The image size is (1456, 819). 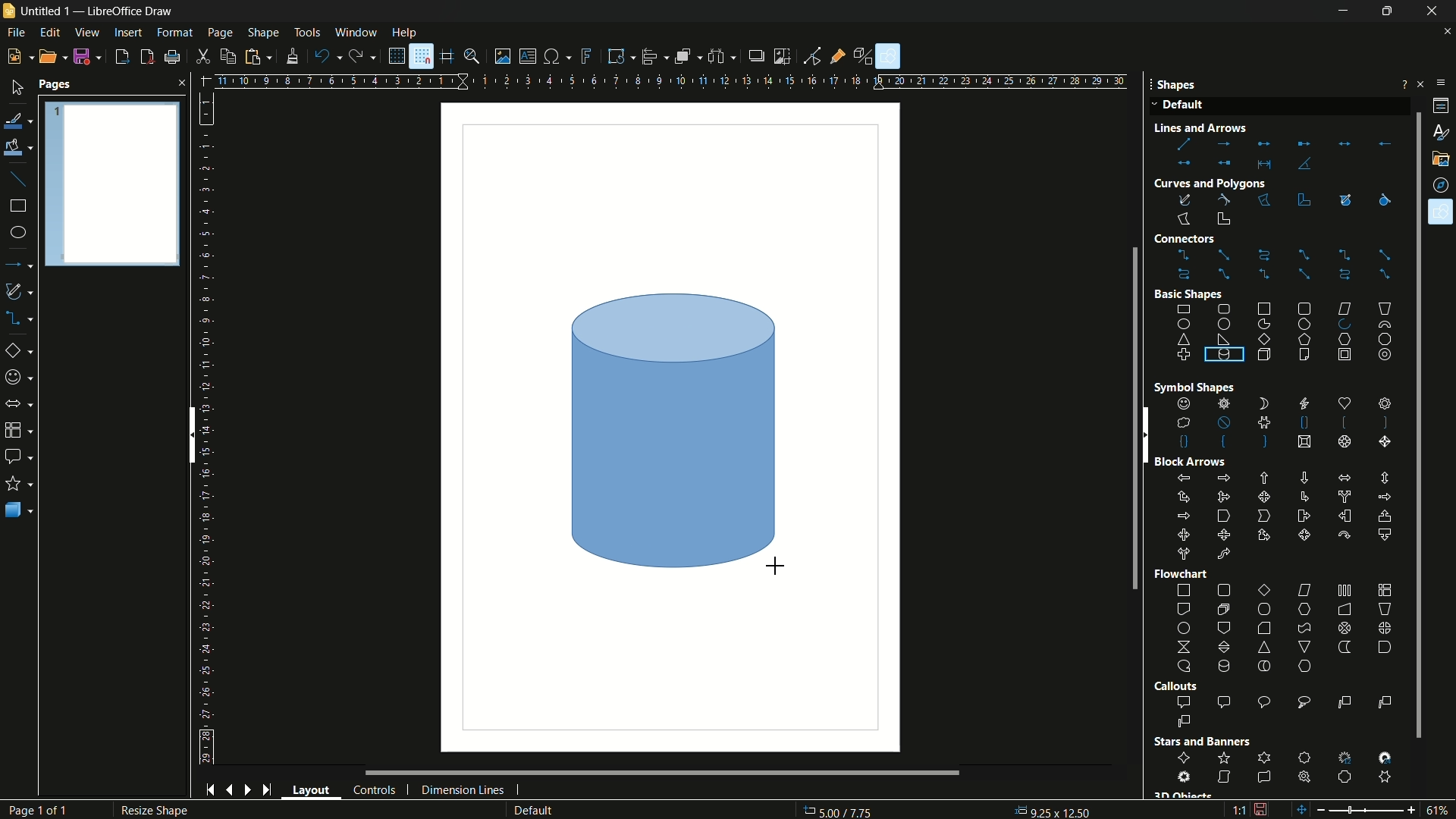 I want to click on width measure scale, so click(x=821, y=83).